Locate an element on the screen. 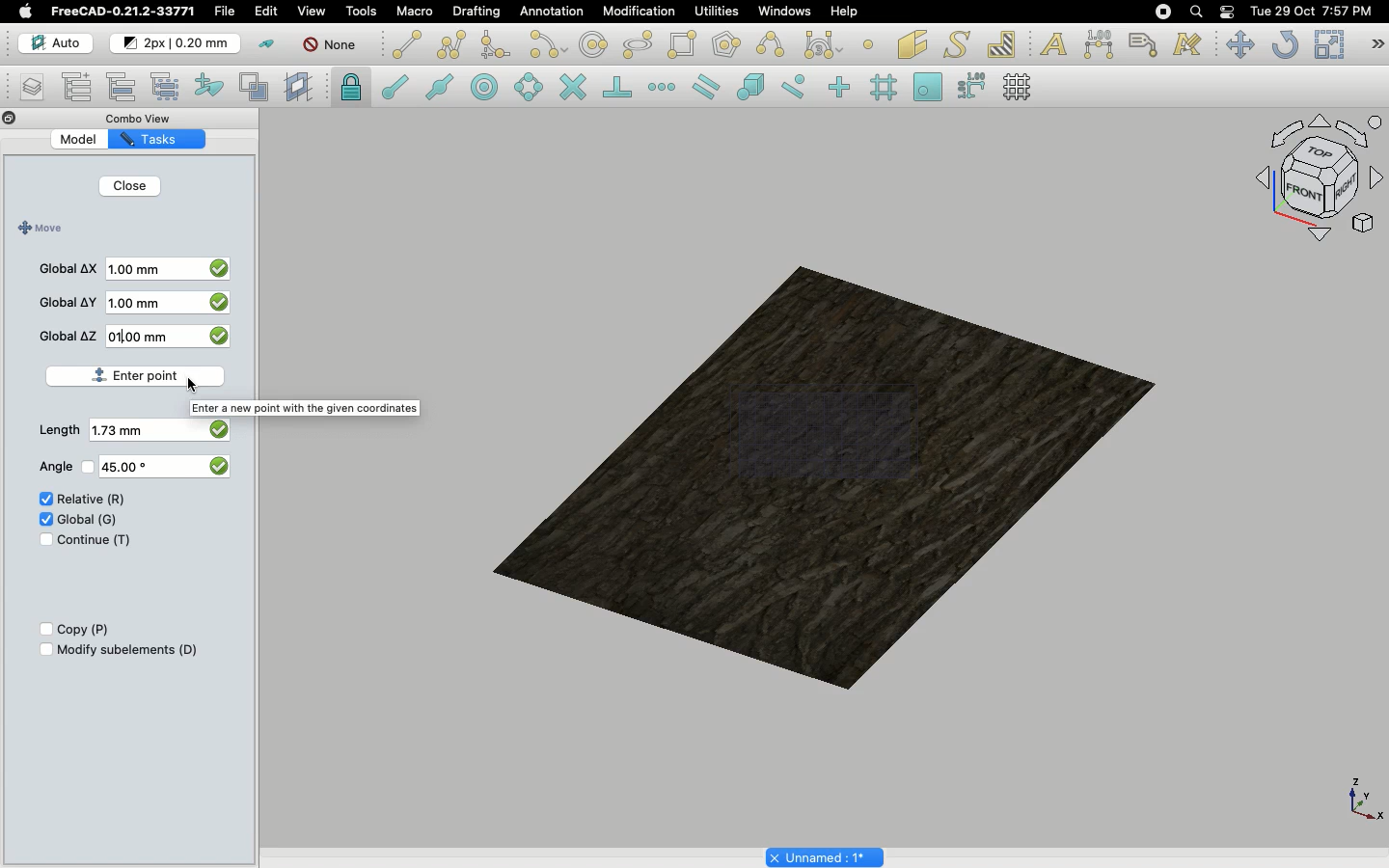  Angle is located at coordinates (52, 467).